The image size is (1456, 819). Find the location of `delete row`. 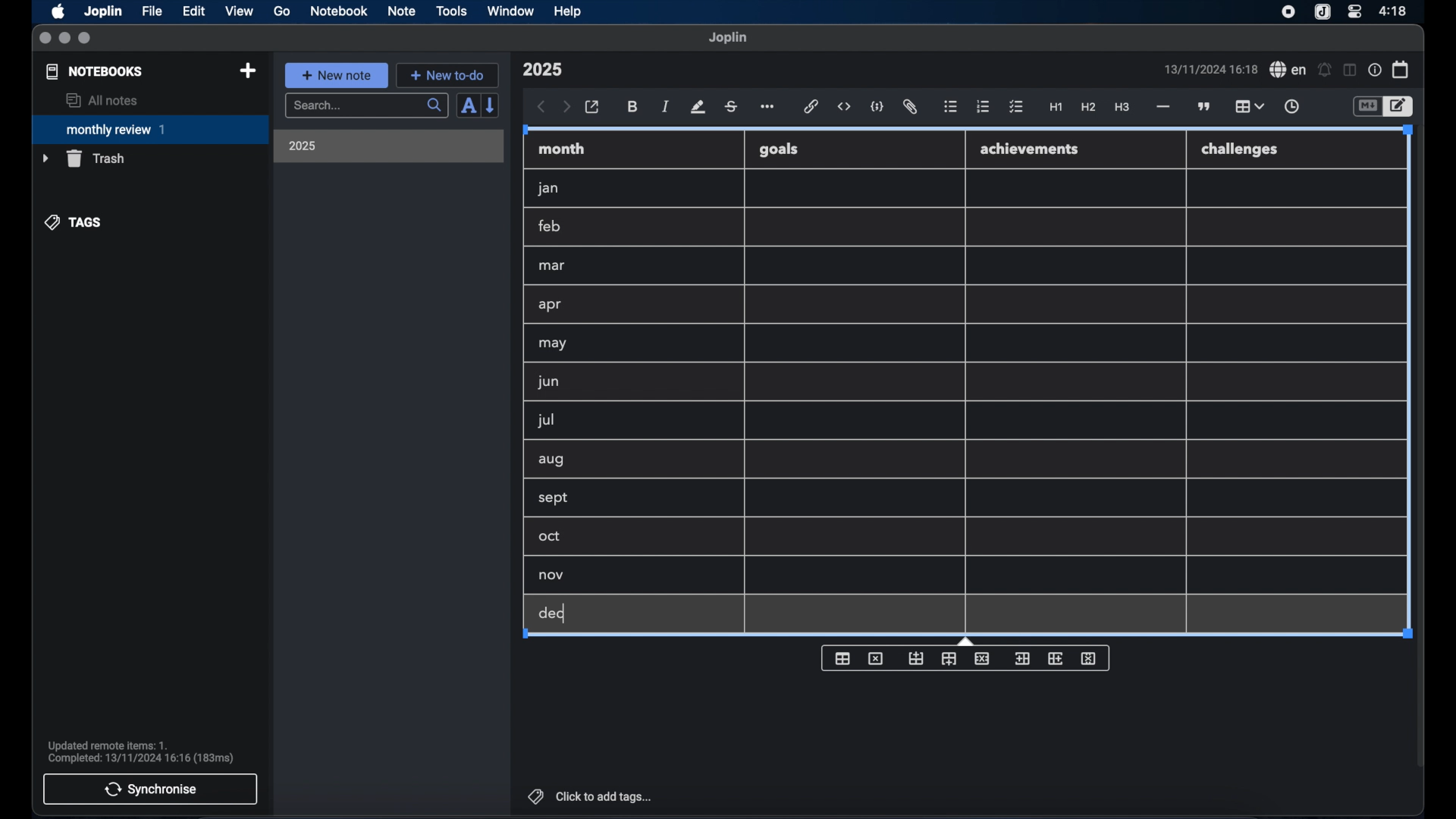

delete row is located at coordinates (983, 657).